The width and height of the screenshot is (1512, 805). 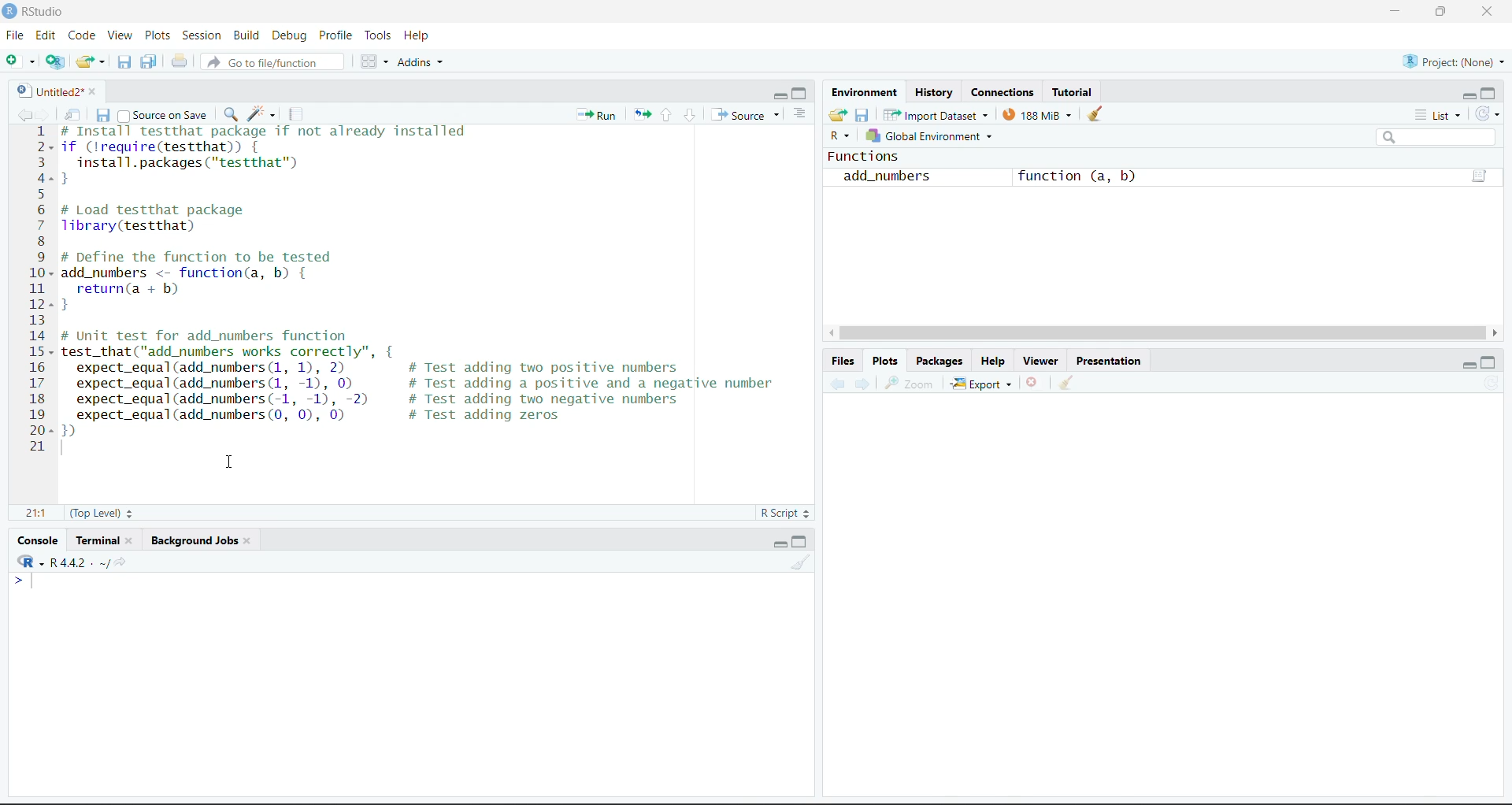 I want to click on save current document, so click(x=105, y=116).